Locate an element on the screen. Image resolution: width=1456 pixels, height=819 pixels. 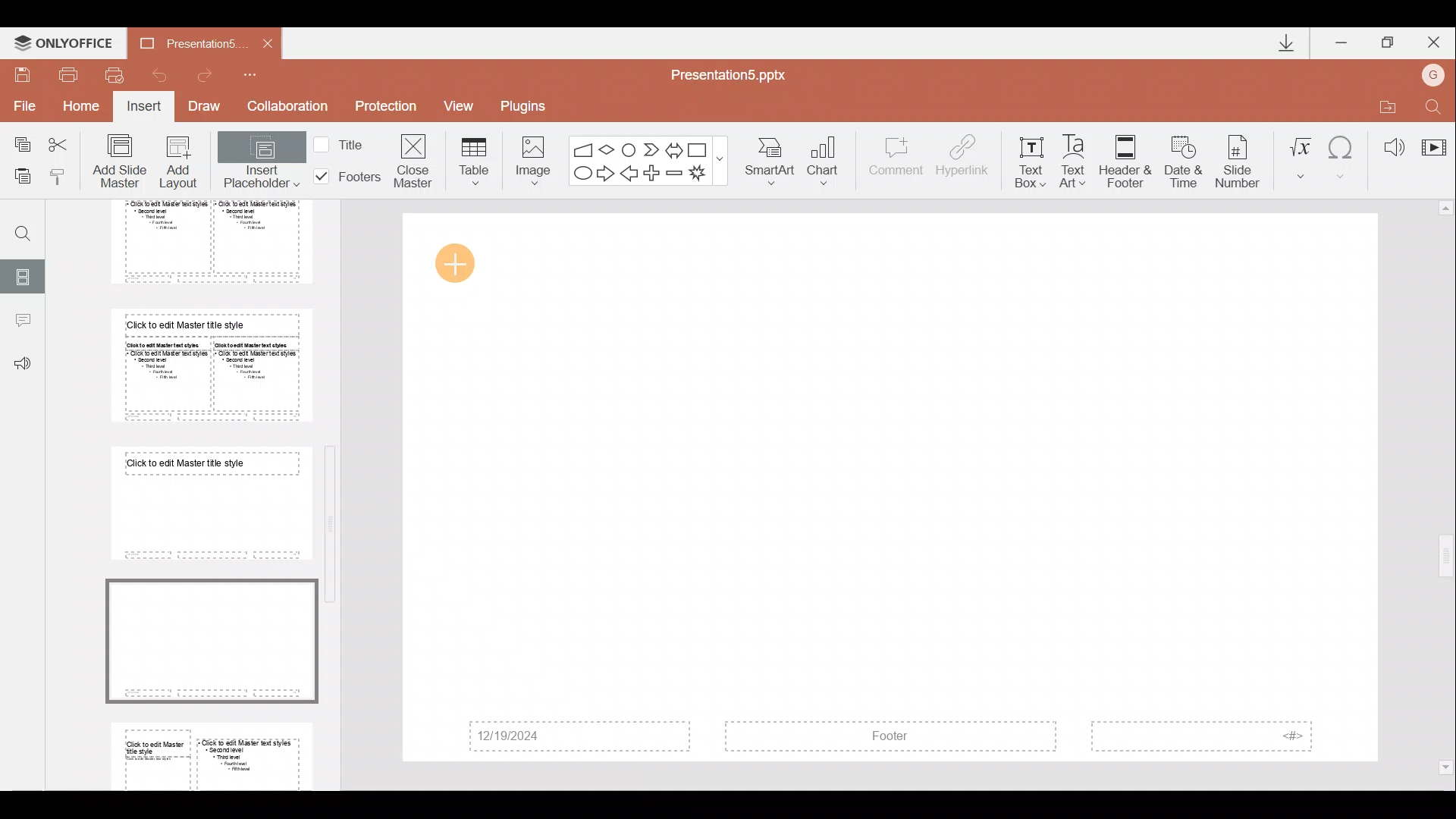
Insert is located at coordinates (145, 108).